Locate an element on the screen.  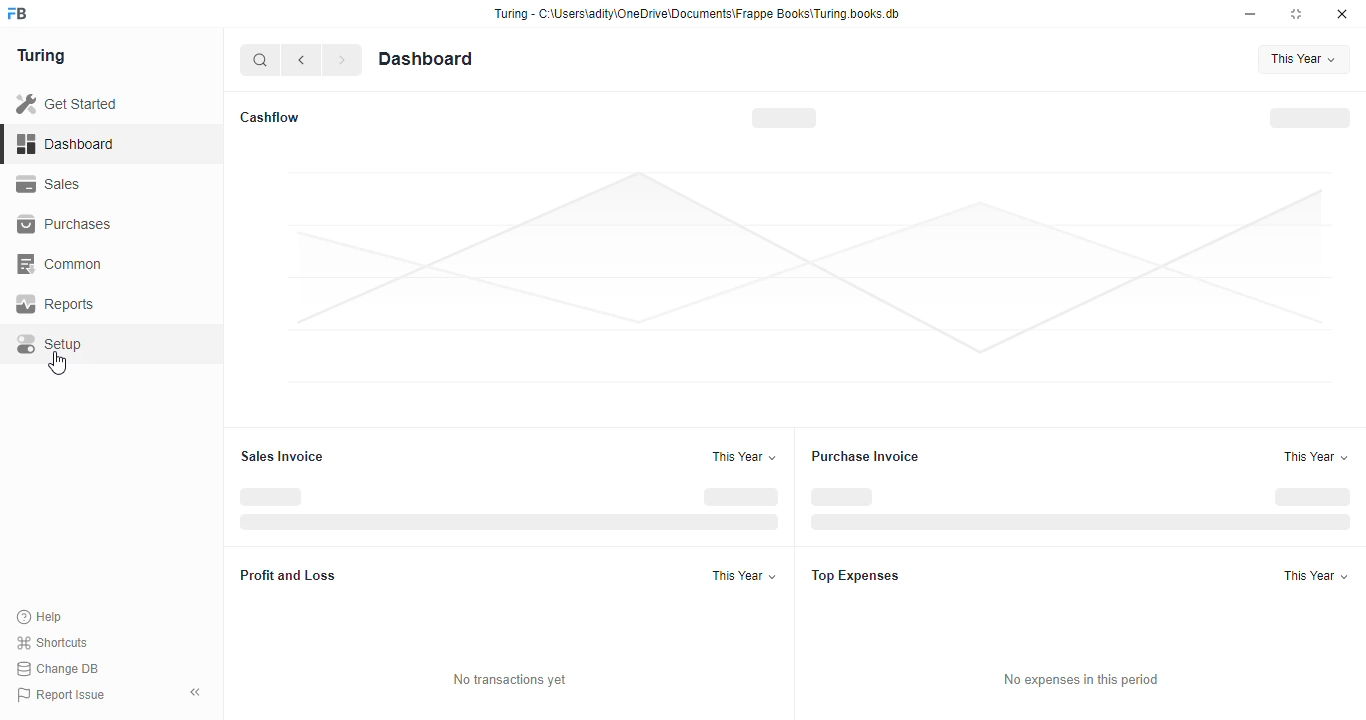
frappe books logo is located at coordinates (25, 15).